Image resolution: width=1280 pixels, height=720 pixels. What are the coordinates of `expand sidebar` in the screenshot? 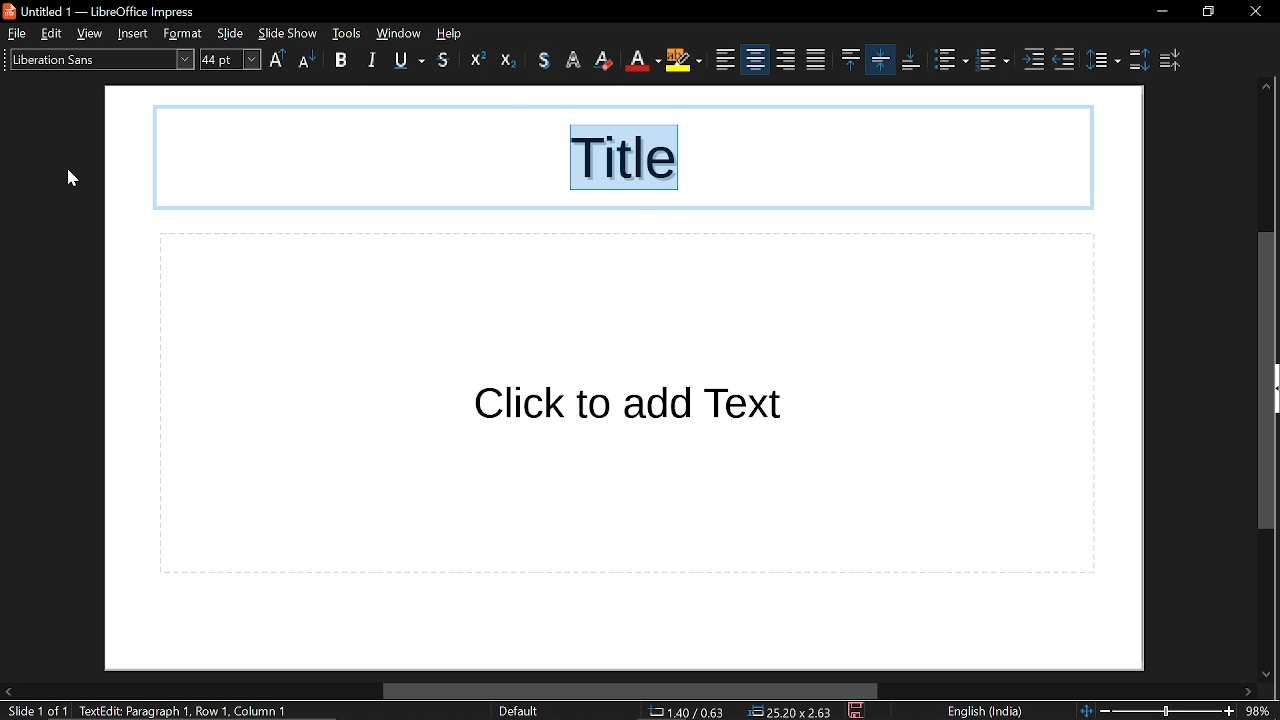 It's located at (1276, 389).